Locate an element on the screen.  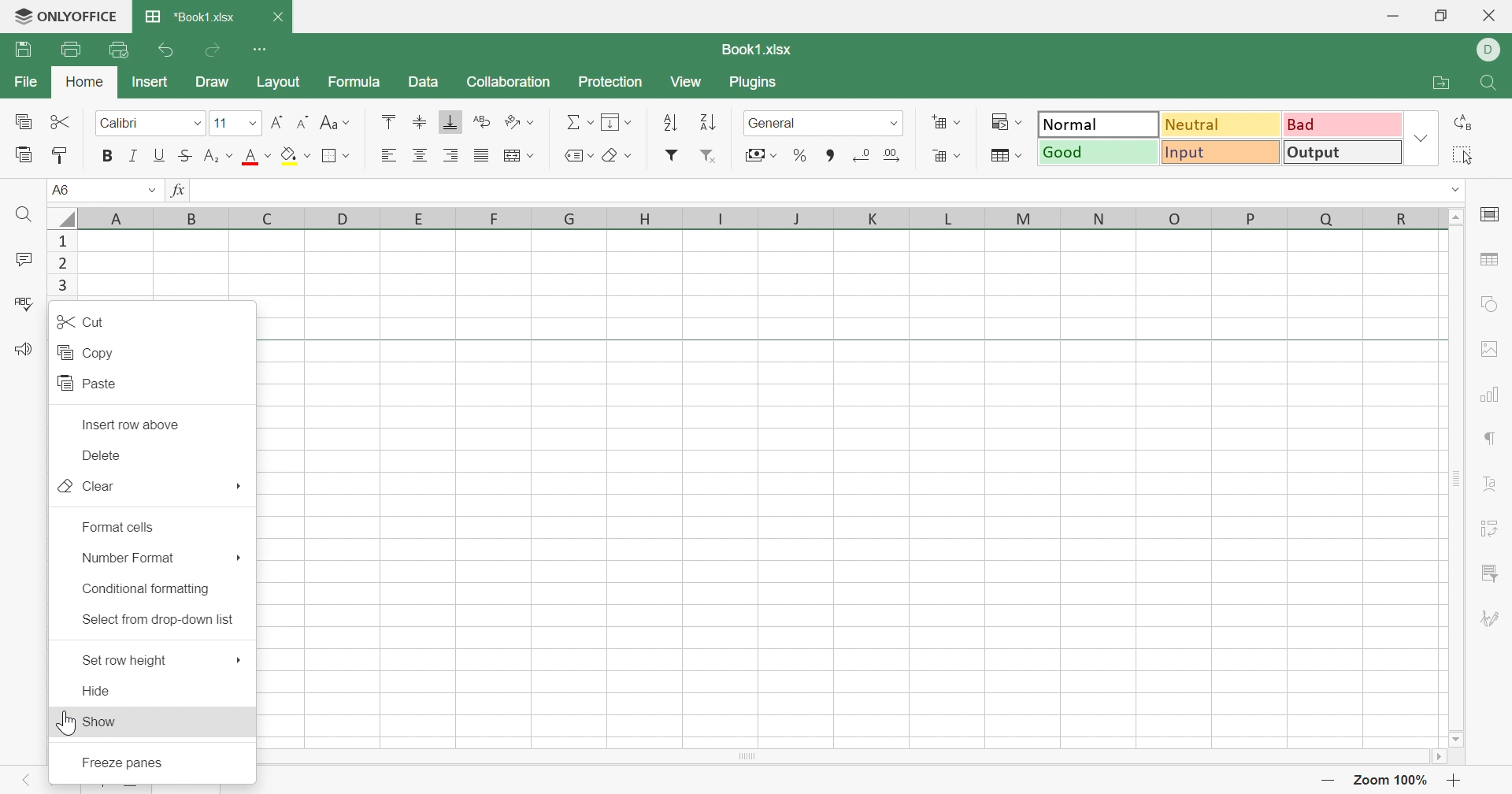
Minimize is located at coordinates (1393, 14).